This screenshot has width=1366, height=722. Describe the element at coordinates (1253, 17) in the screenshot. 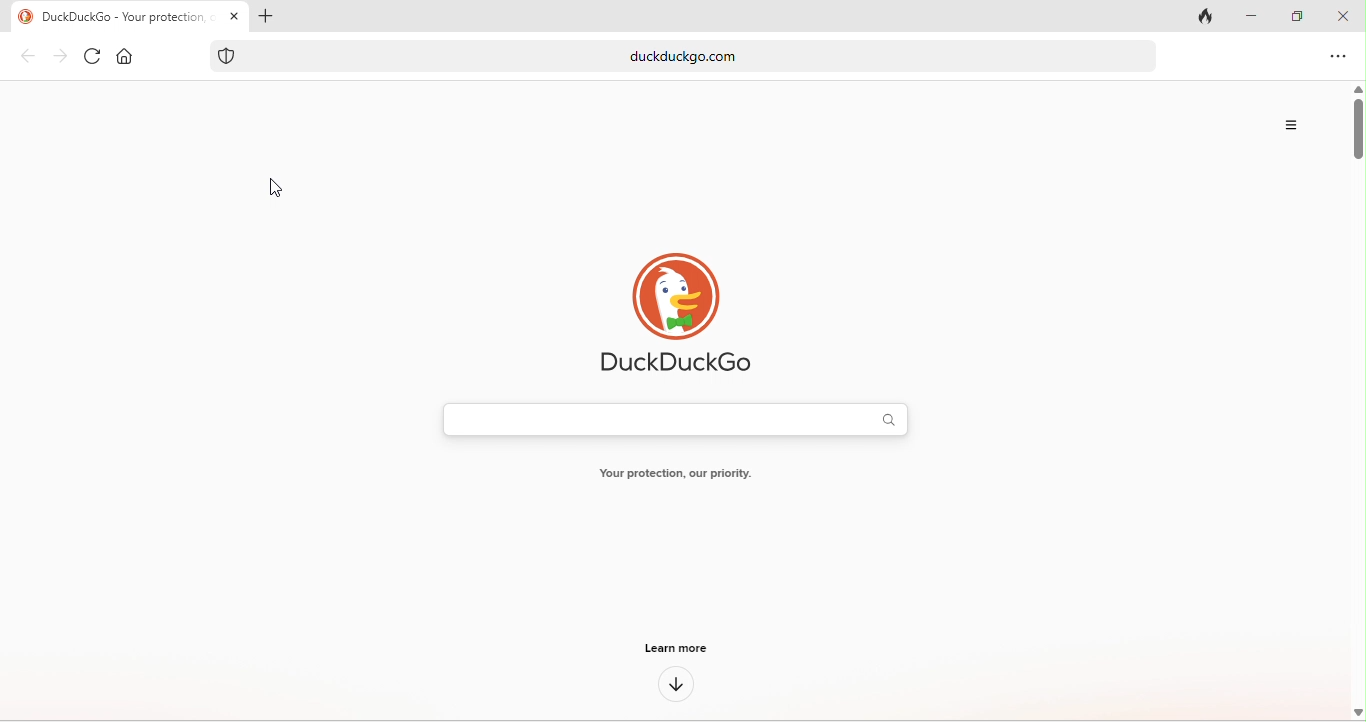

I see `minimize` at that location.